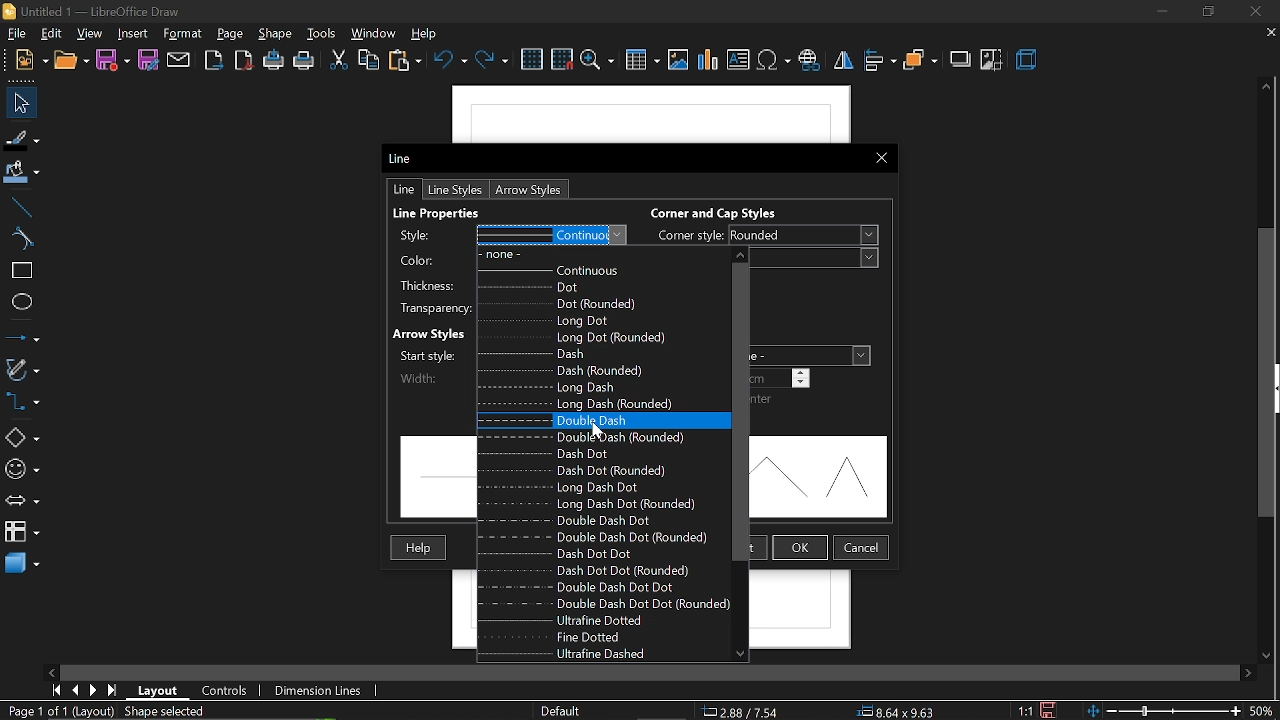 The height and width of the screenshot is (720, 1280). Describe the element at coordinates (21, 137) in the screenshot. I see `fill line` at that location.